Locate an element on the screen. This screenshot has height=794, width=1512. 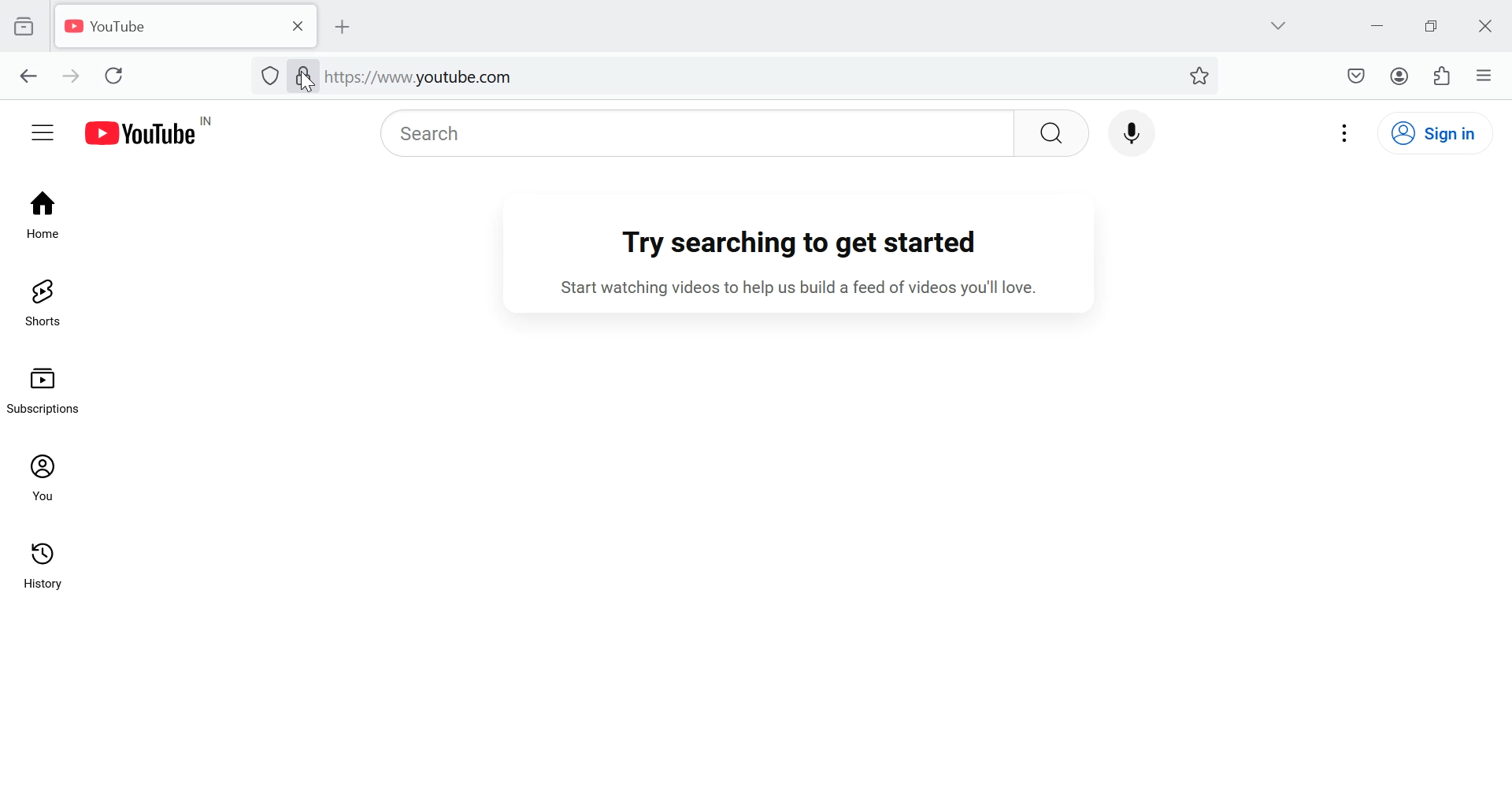
View recent browsing across windows and devices is located at coordinates (24, 26).